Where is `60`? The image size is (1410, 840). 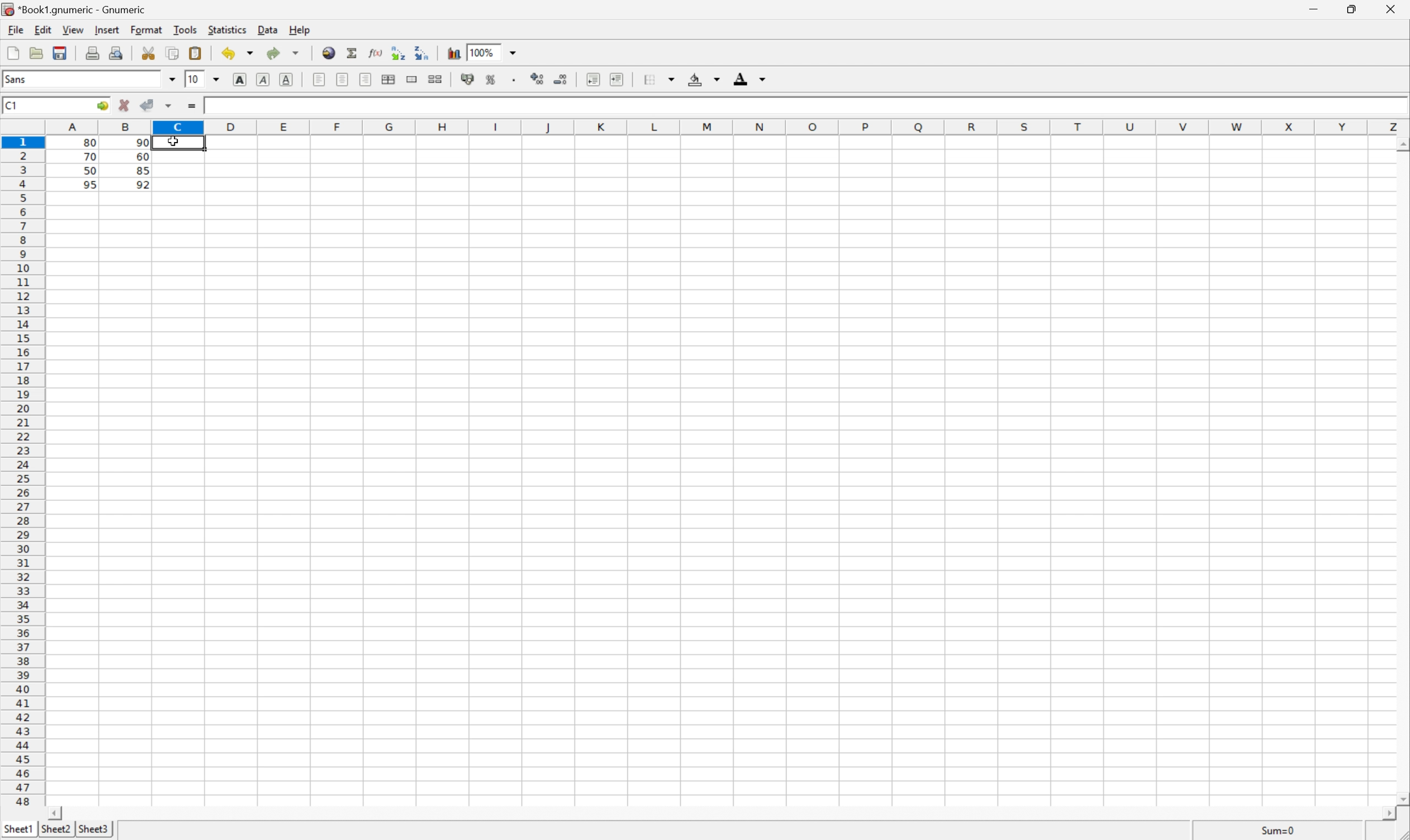
60 is located at coordinates (142, 156).